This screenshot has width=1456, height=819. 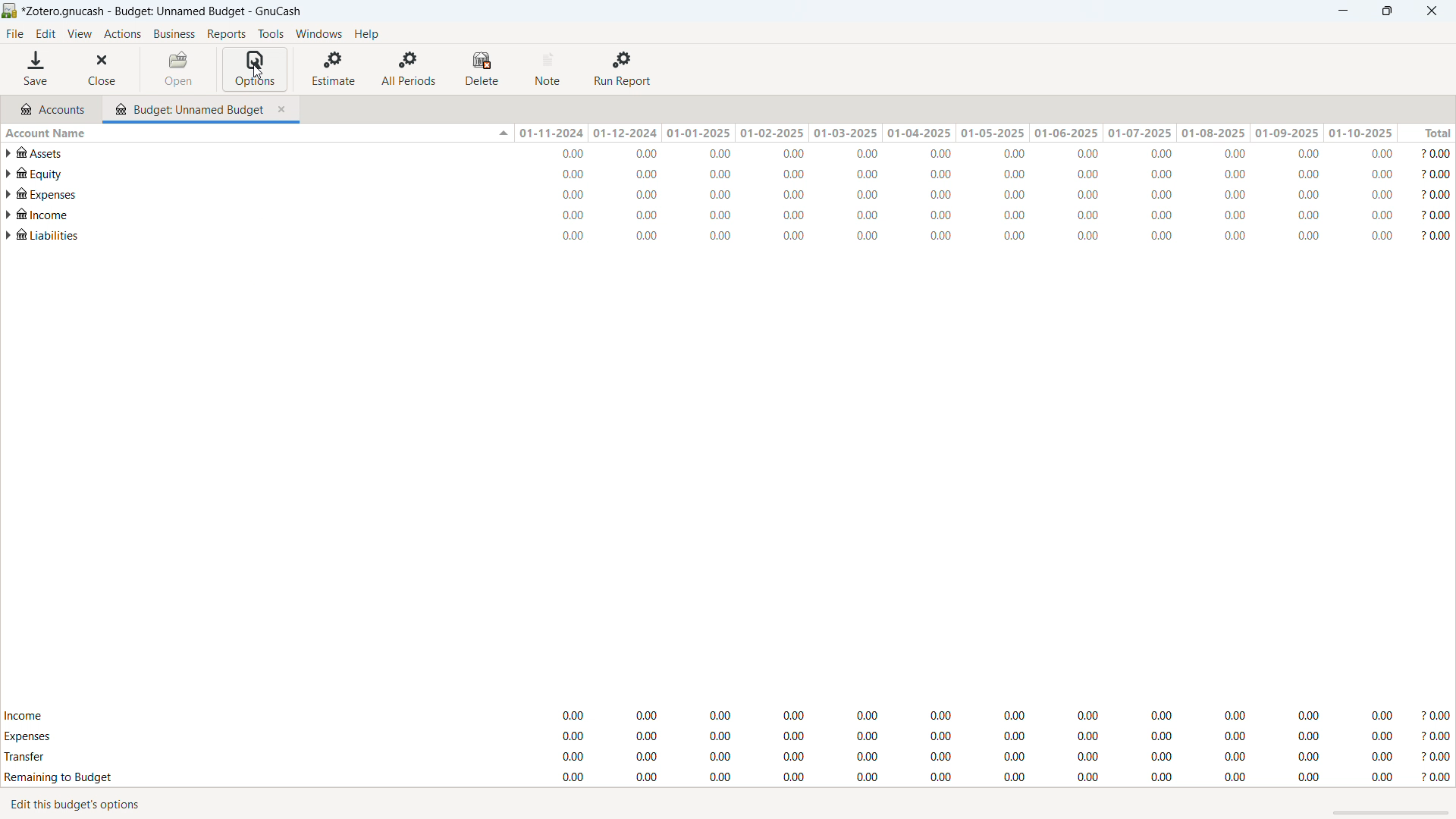 I want to click on account statement for  "Equity", so click(x=739, y=174).